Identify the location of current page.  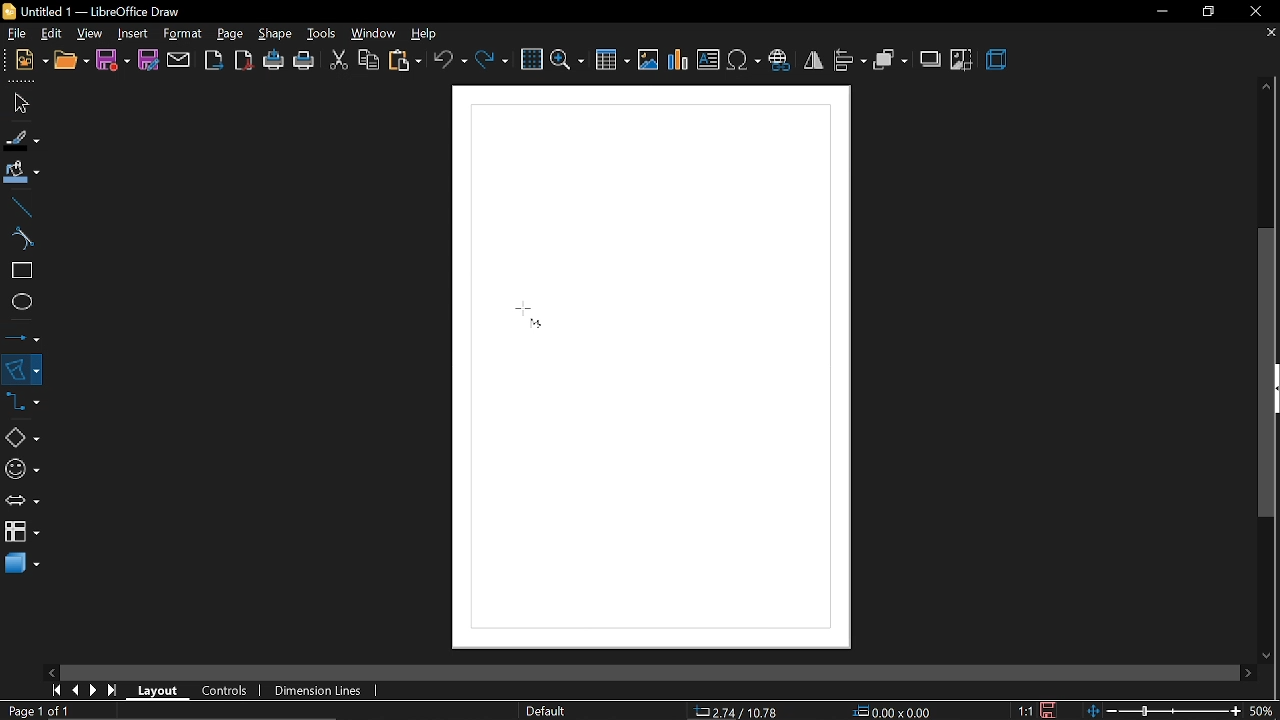
(42, 711).